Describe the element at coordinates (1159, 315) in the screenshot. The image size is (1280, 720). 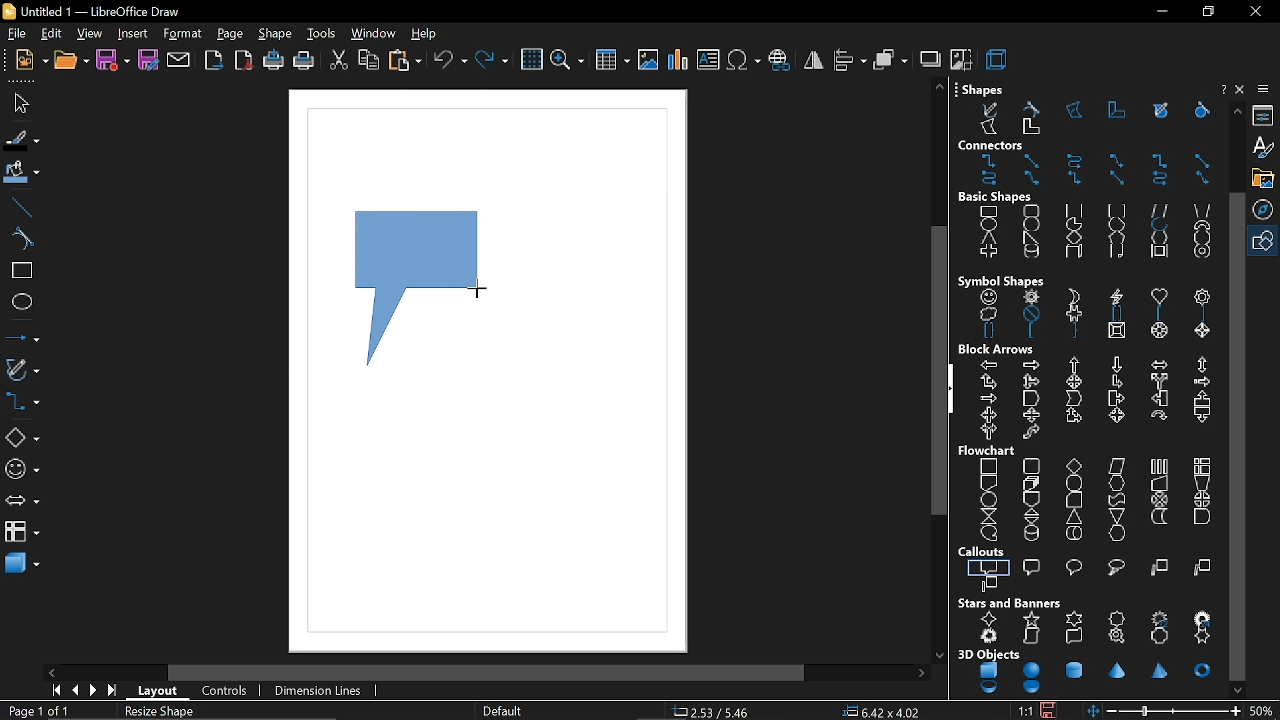
I see `left bracket` at that location.